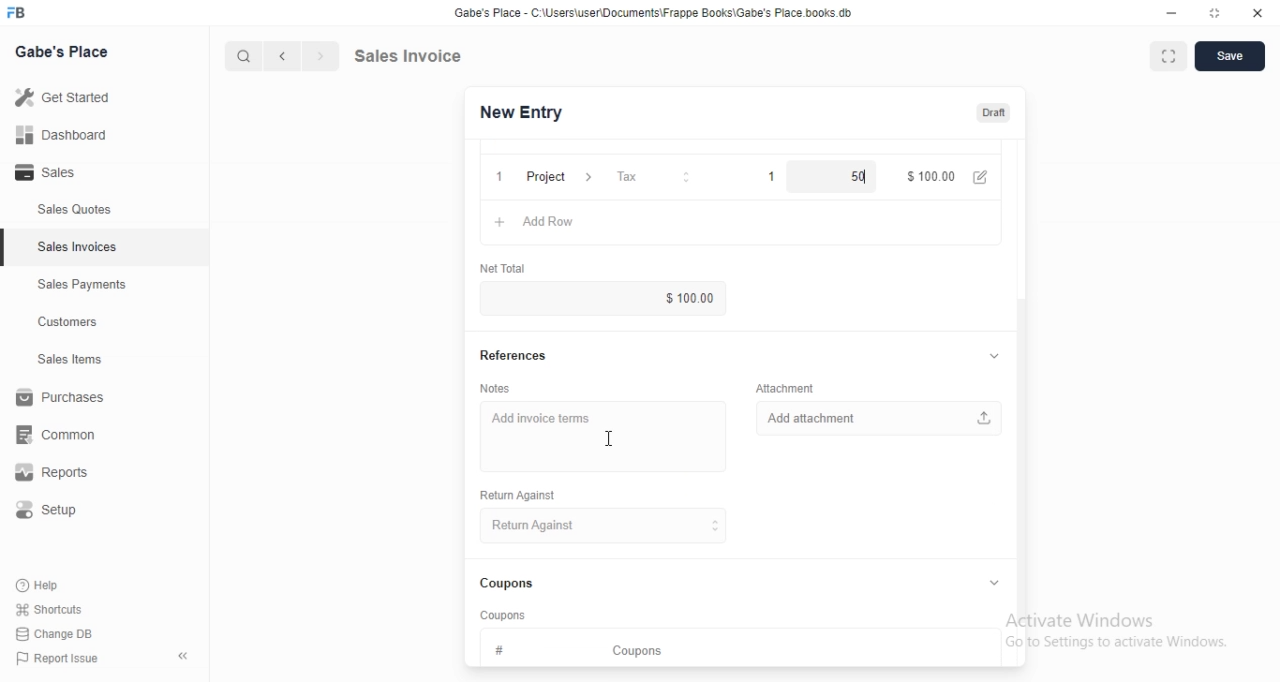 This screenshot has height=682, width=1280. Describe the element at coordinates (57, 584) in the screenshot. I see `Help` at that location.